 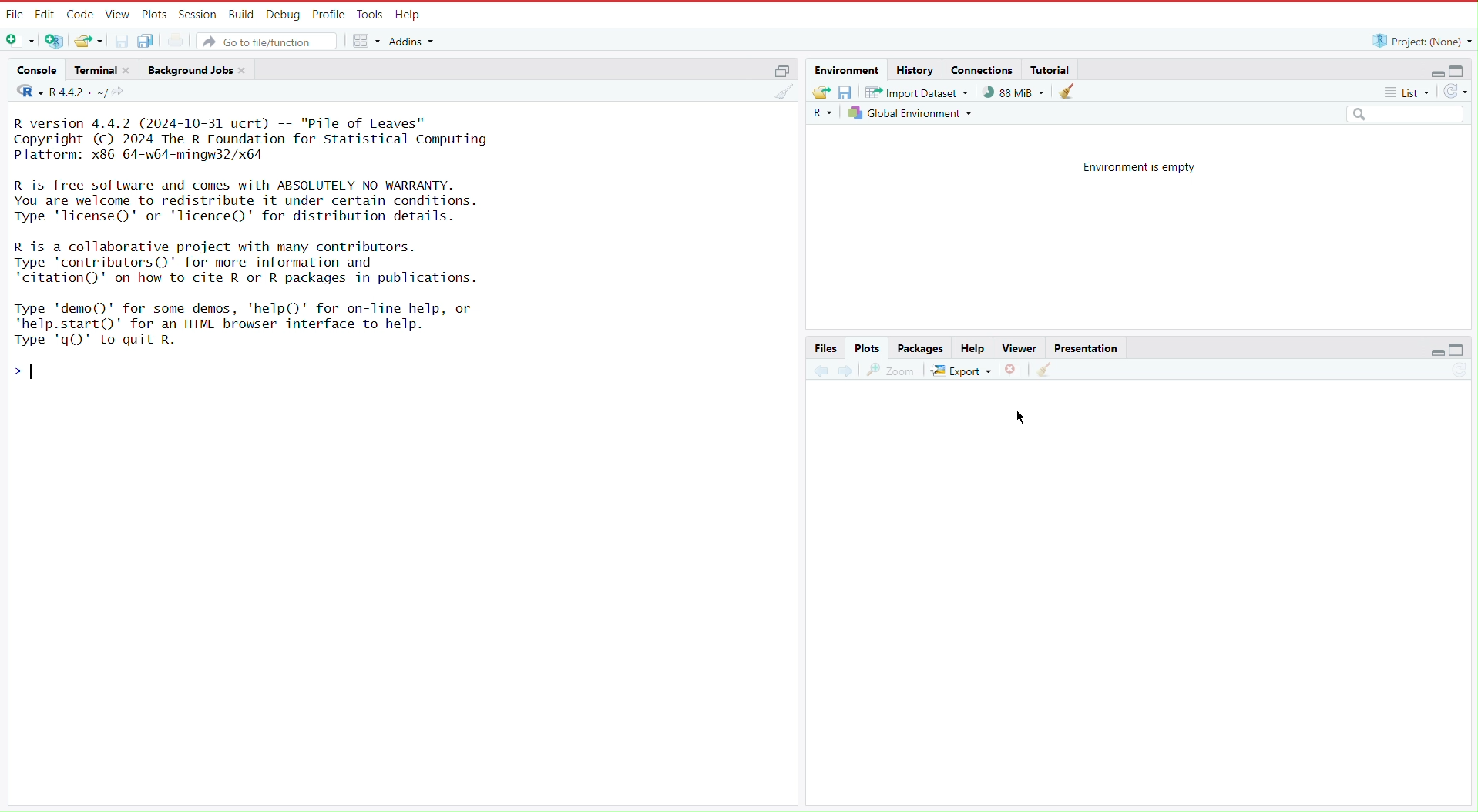 What do you see at coordinates (1139, 166) in the screenshot?
I see `Environment is empty` at bounding box center [1139, 166].